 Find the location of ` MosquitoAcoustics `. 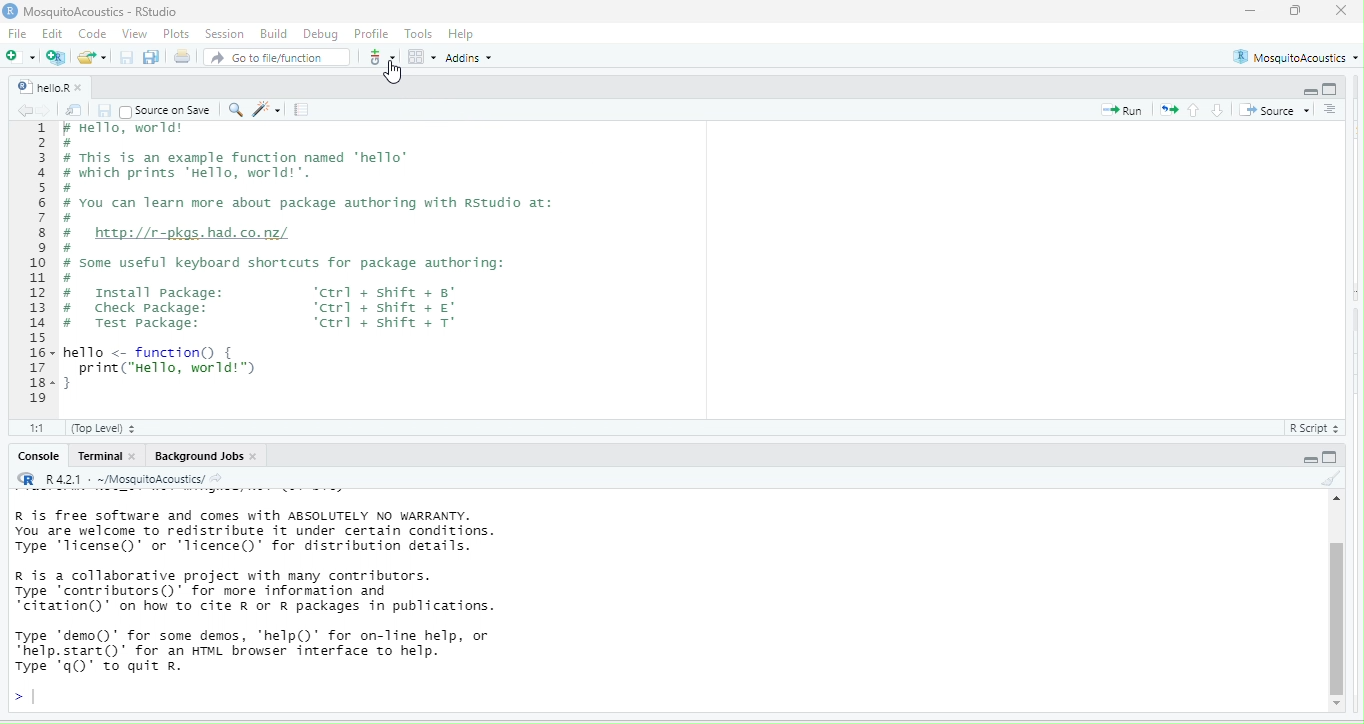

 MosquitoAcoustics  is located at coordinates (1298, 54).